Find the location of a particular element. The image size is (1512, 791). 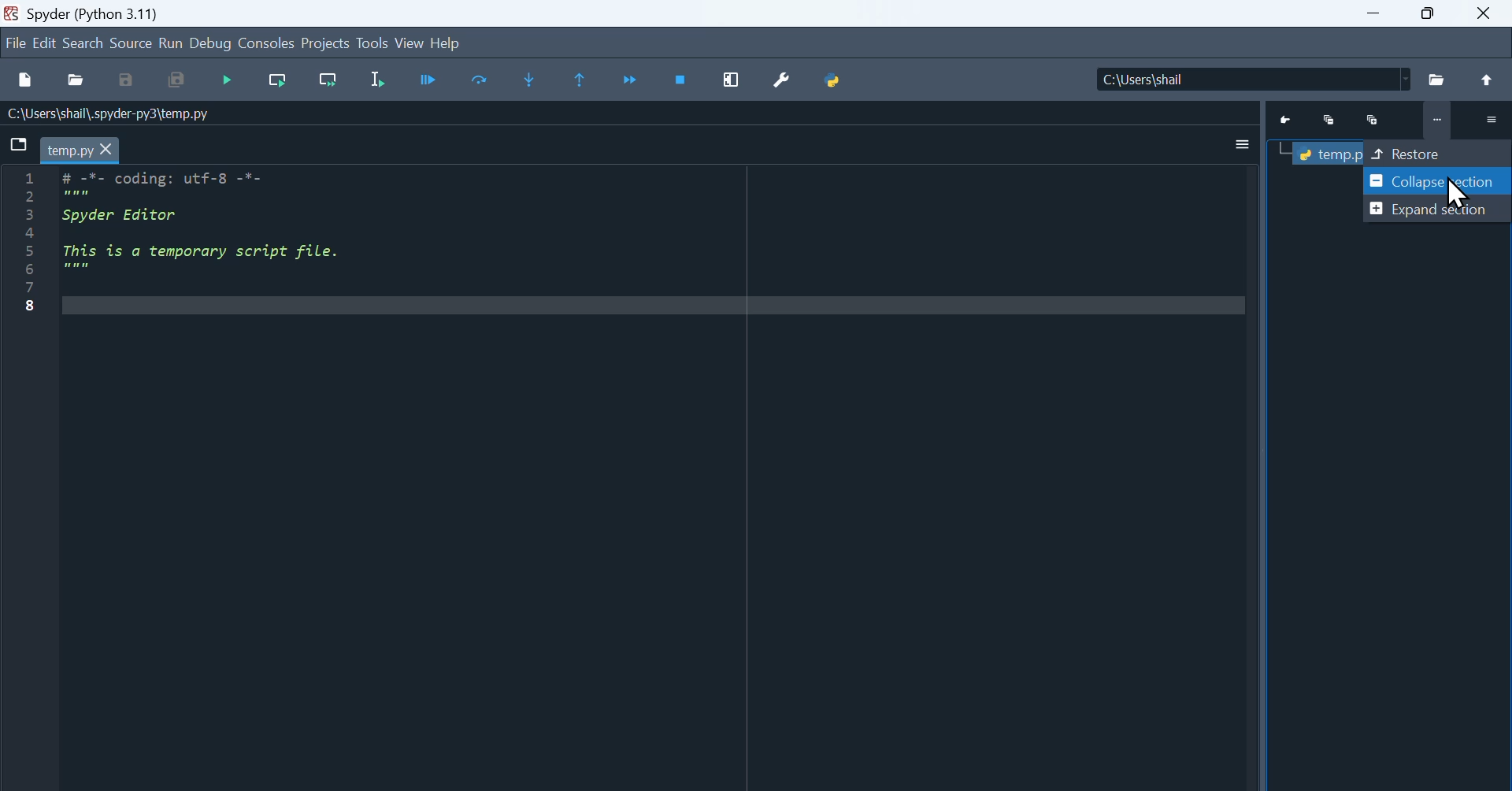

run is located at coordinates (171, 44).